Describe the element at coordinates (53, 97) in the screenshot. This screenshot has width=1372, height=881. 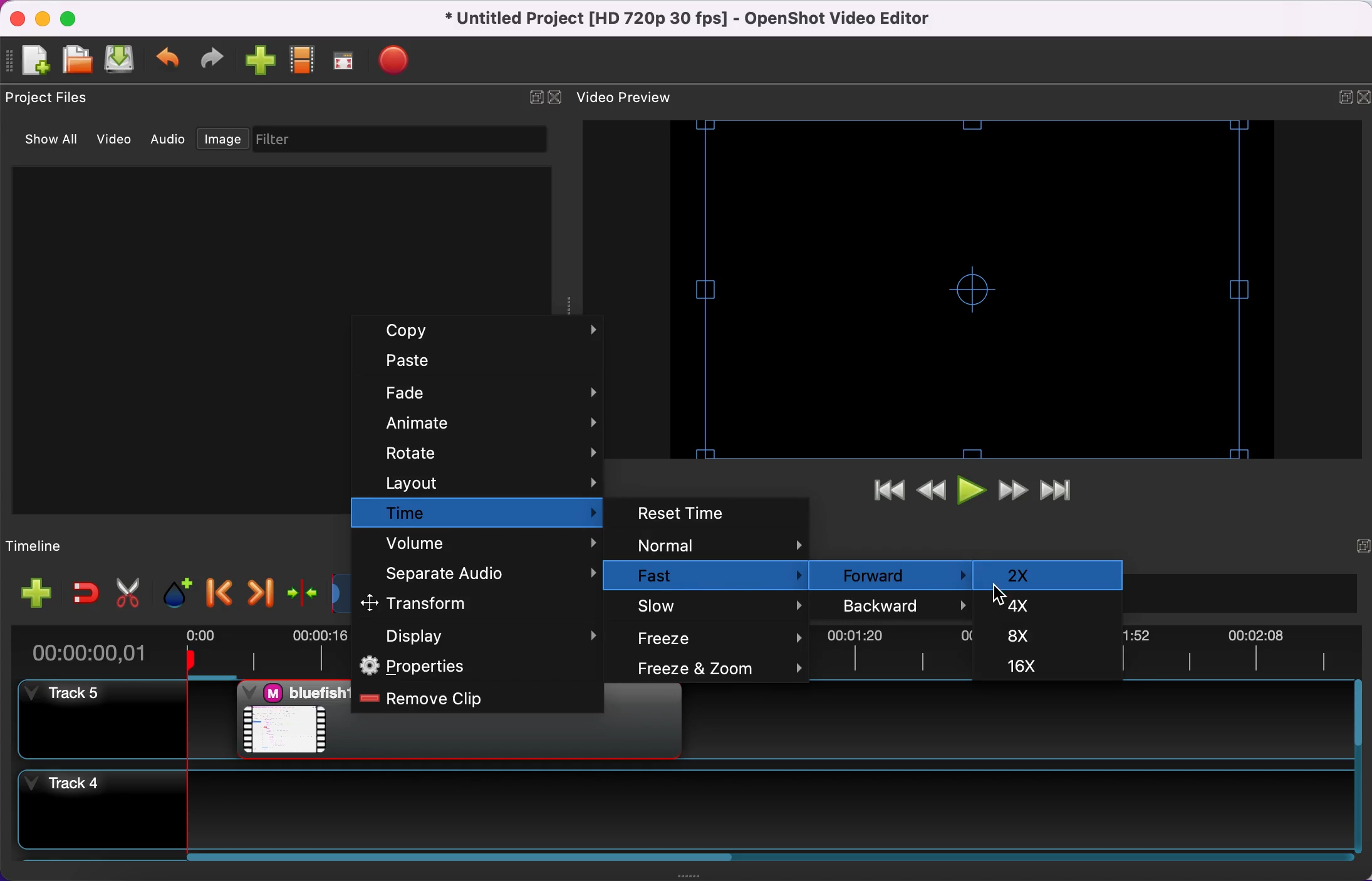
I see `project files` at that location.